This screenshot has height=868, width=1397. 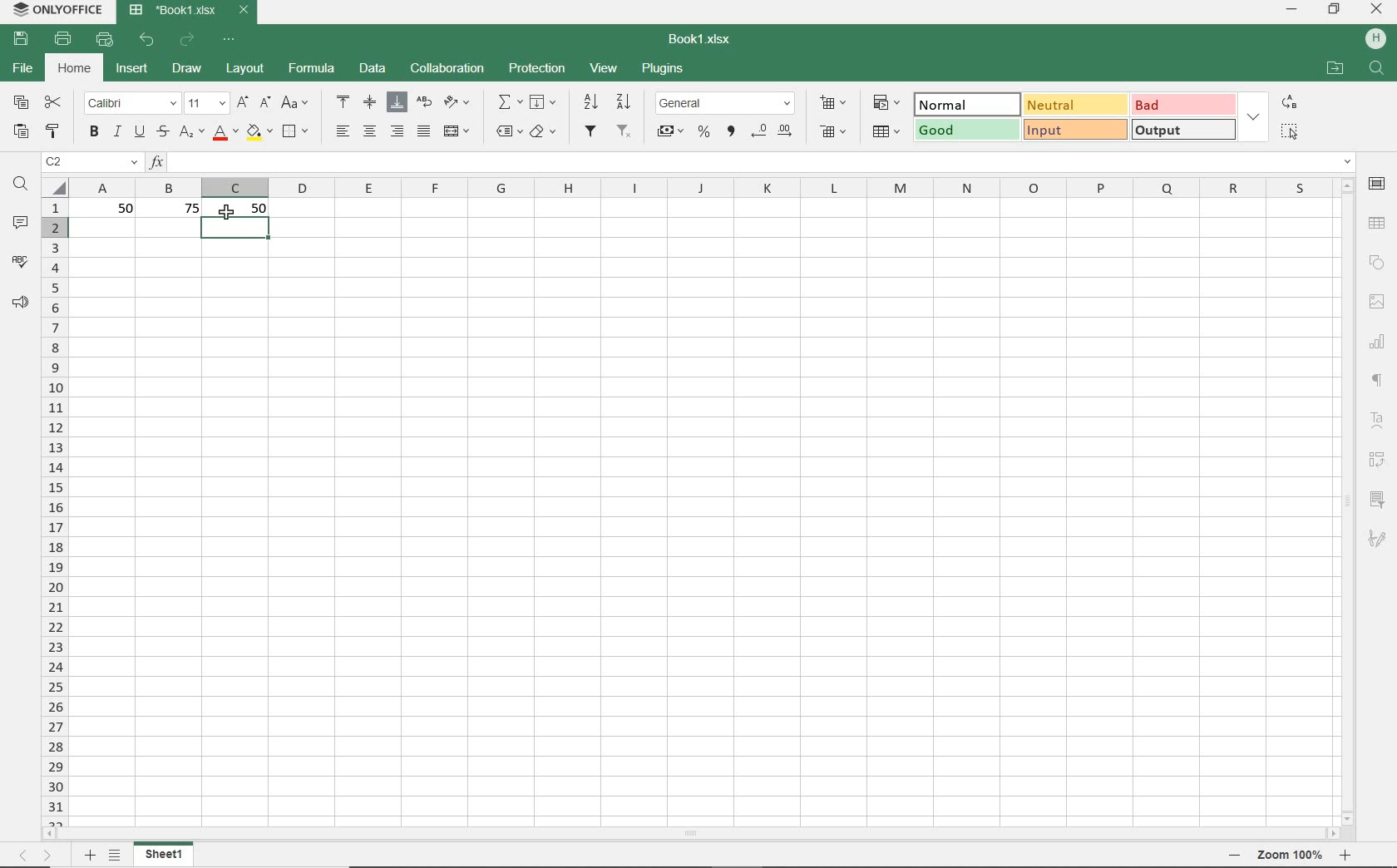 I want to click on move sheets, so click(x=35, y=855).